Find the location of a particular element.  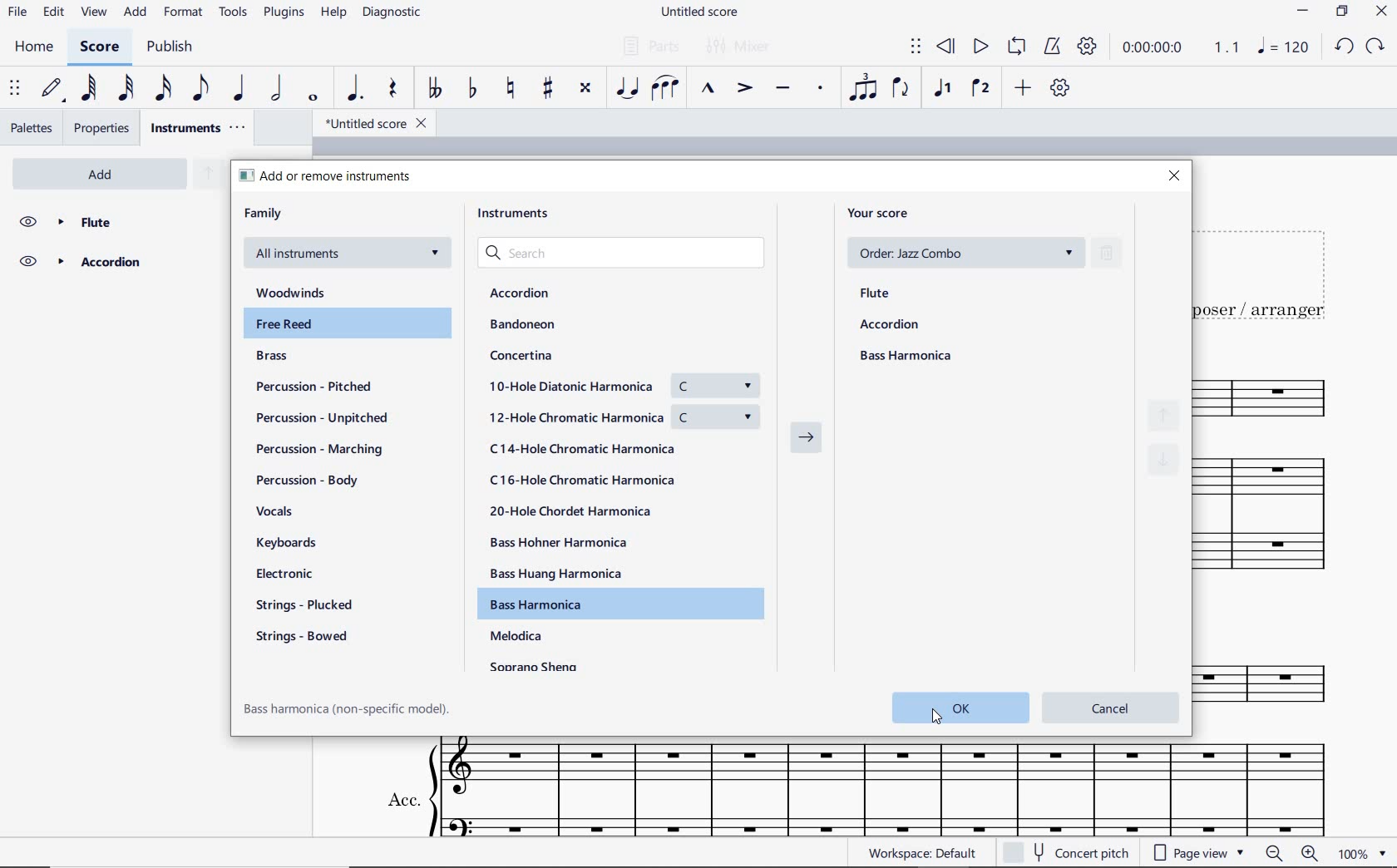

electronic is located at coordinates (292, 575).